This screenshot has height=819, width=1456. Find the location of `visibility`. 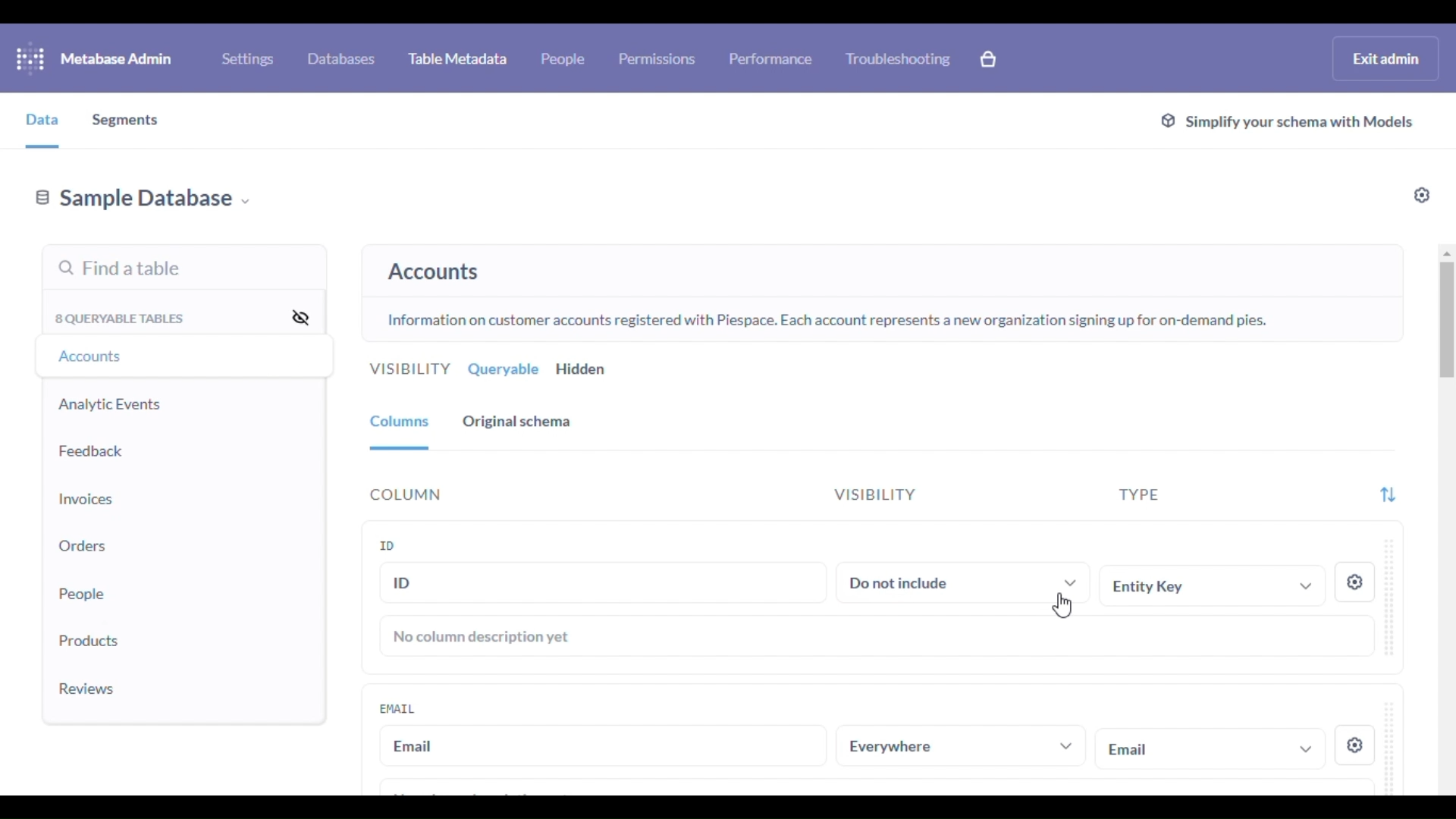

visibility is located at coordinates (409, 369).